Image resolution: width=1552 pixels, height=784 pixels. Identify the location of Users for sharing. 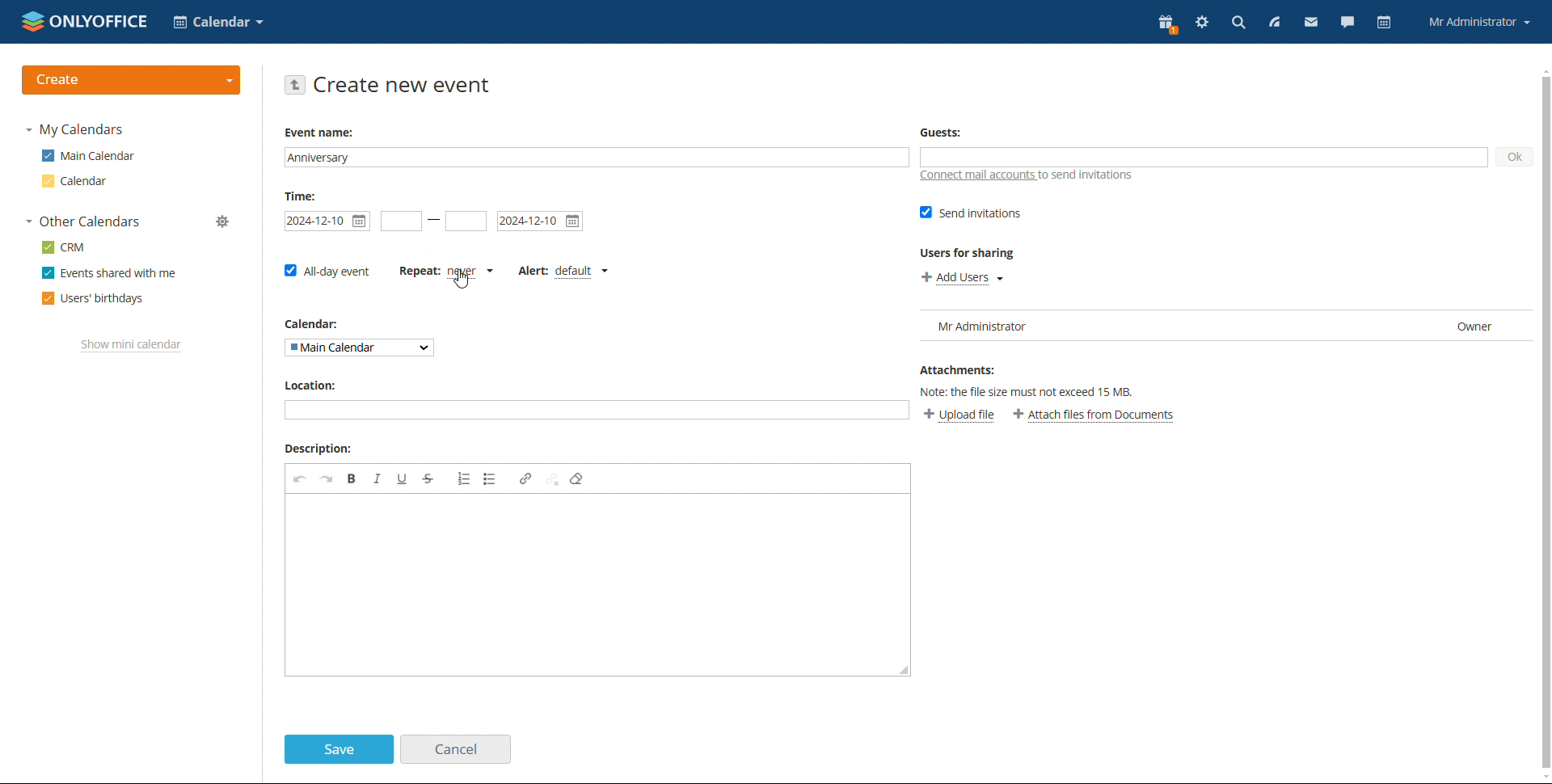
(959, 252).